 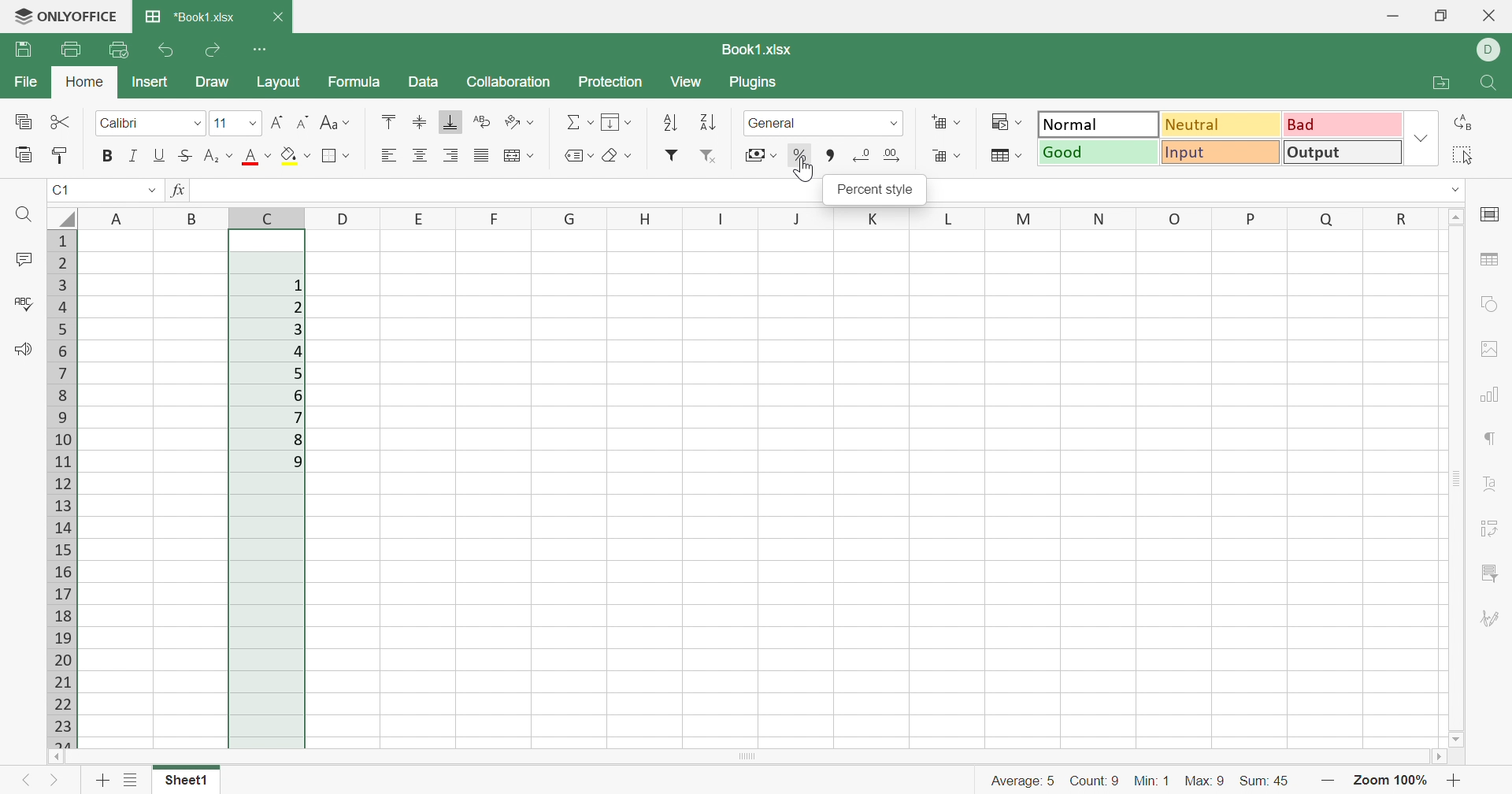 I want to click on Draw, so click(x=211, y=80).